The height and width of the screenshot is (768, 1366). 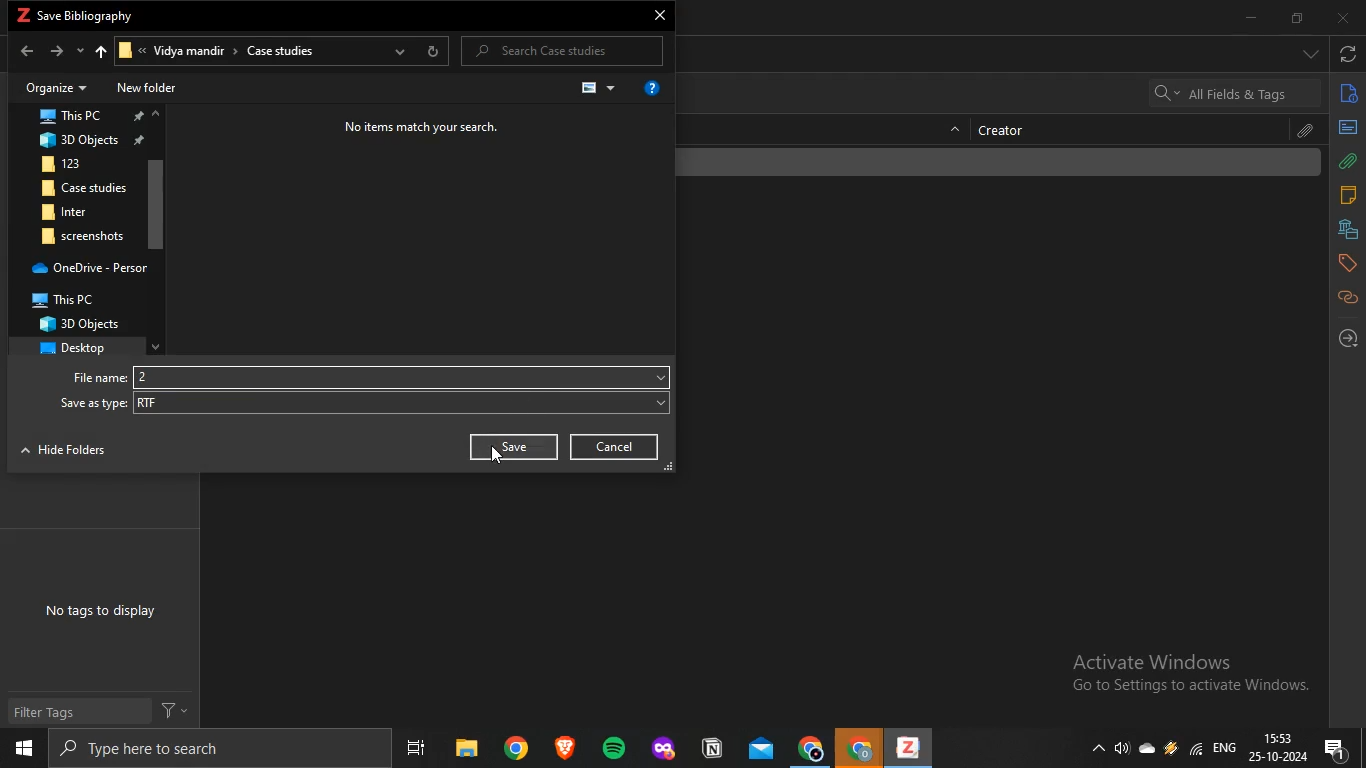 What do you see at coordinates (88, 323) in the screenshot?
I see `3D Objects` at bounding box center [88, 323].